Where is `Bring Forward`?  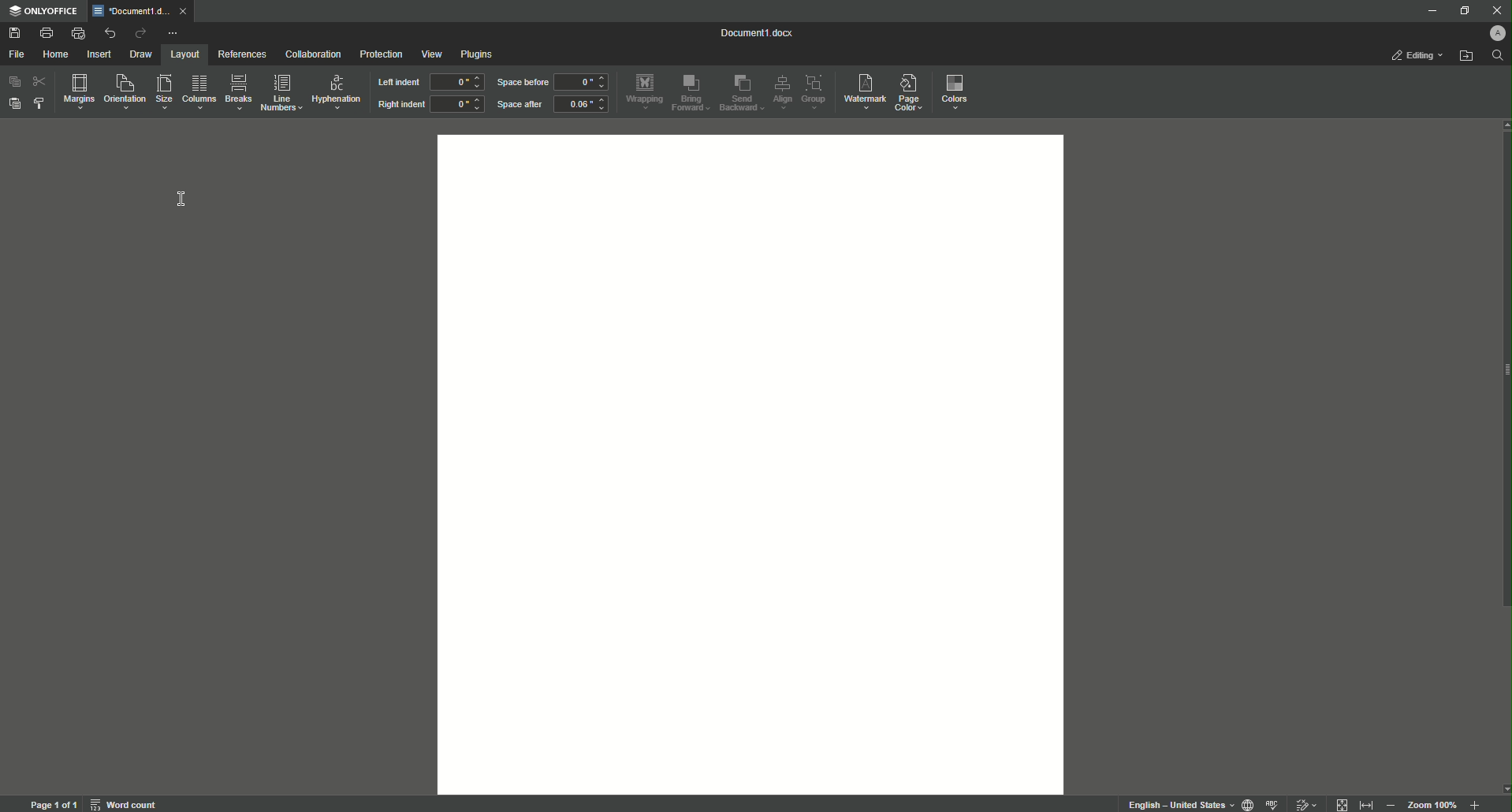 Bring Forward is located at coordinates (693, 93).